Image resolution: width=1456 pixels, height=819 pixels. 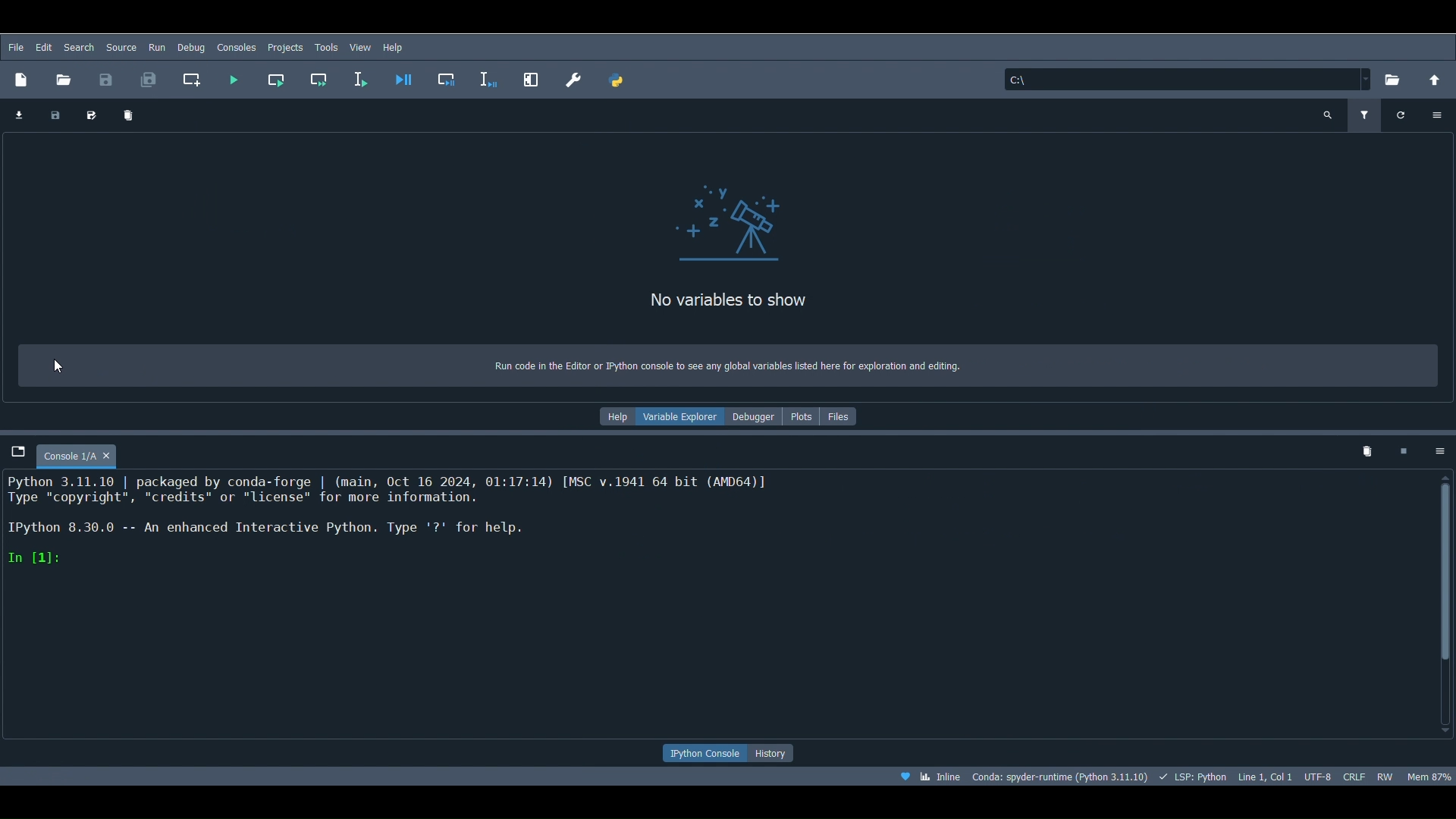 I want to click on Click to toggle between inline and interactive Matplotlib plotting, so click(x=933, y=777).